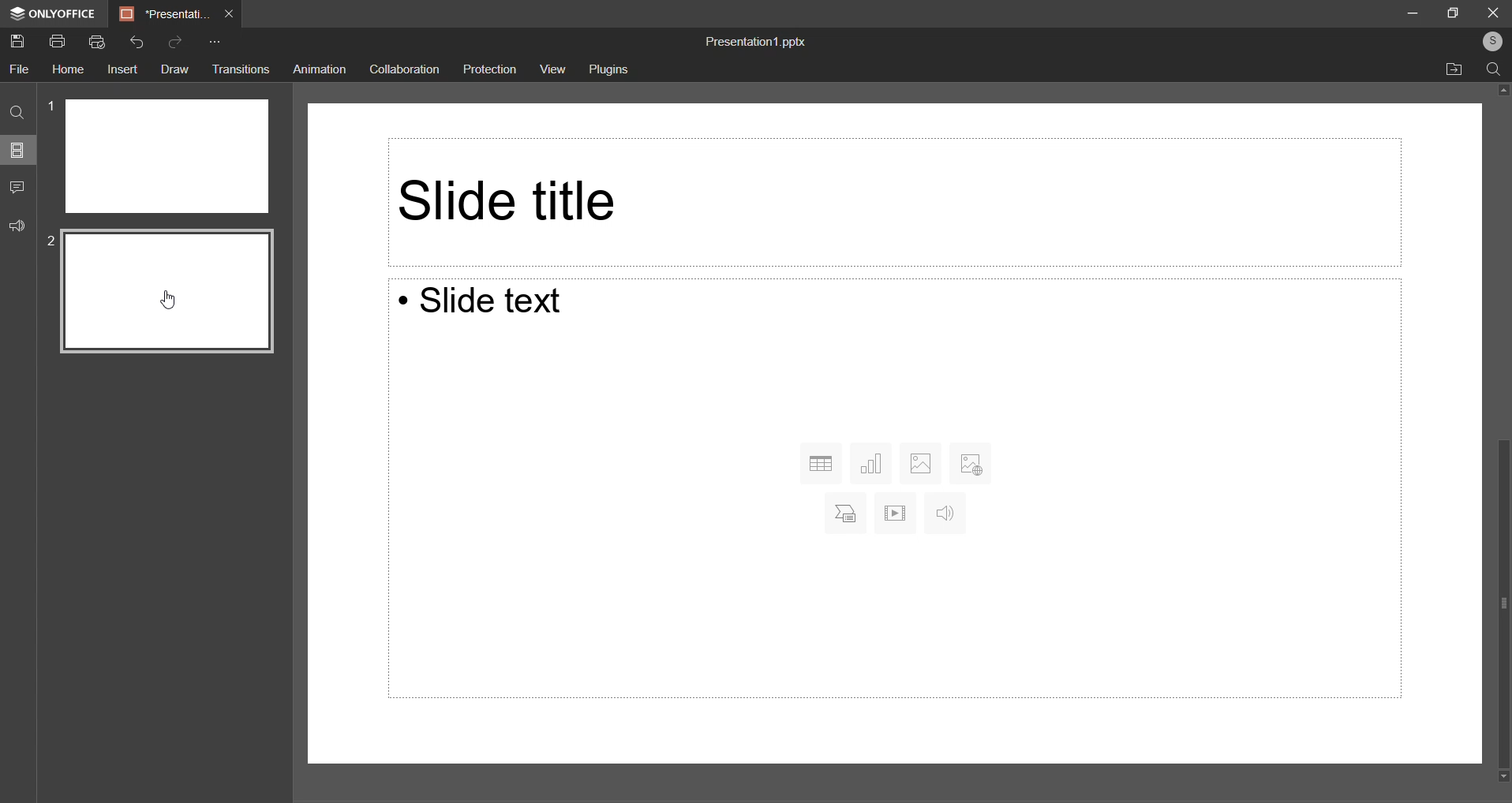 Image resolution: width=1512 pixels, height=803 pixels. What do you see at coordinates (841, 513) in the screenshot?
I see `Smart Art` at bounding box center [841, 513].